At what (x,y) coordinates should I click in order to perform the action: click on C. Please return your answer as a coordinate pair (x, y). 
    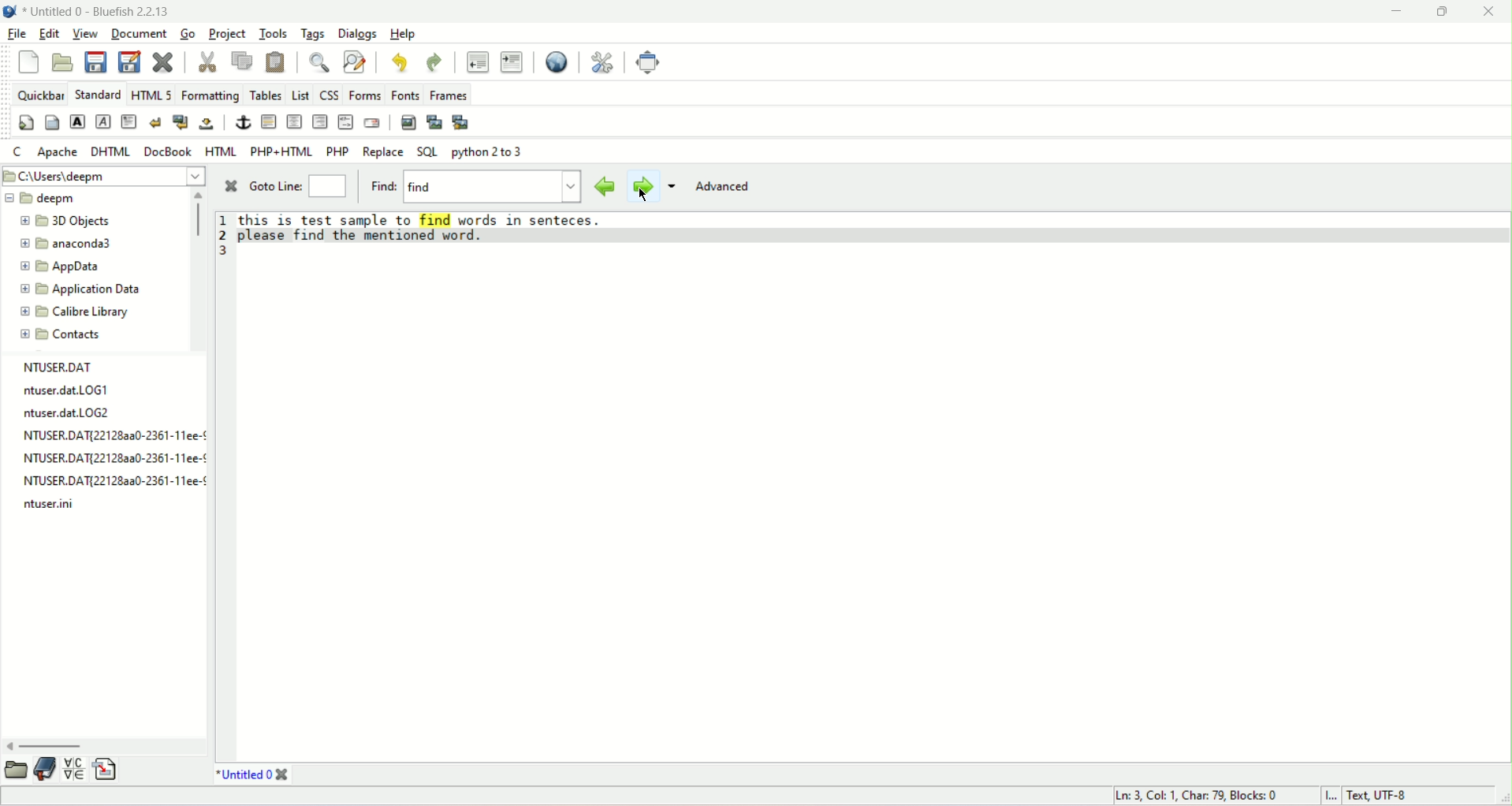
    Looking at the image, I should click on (16, 151).